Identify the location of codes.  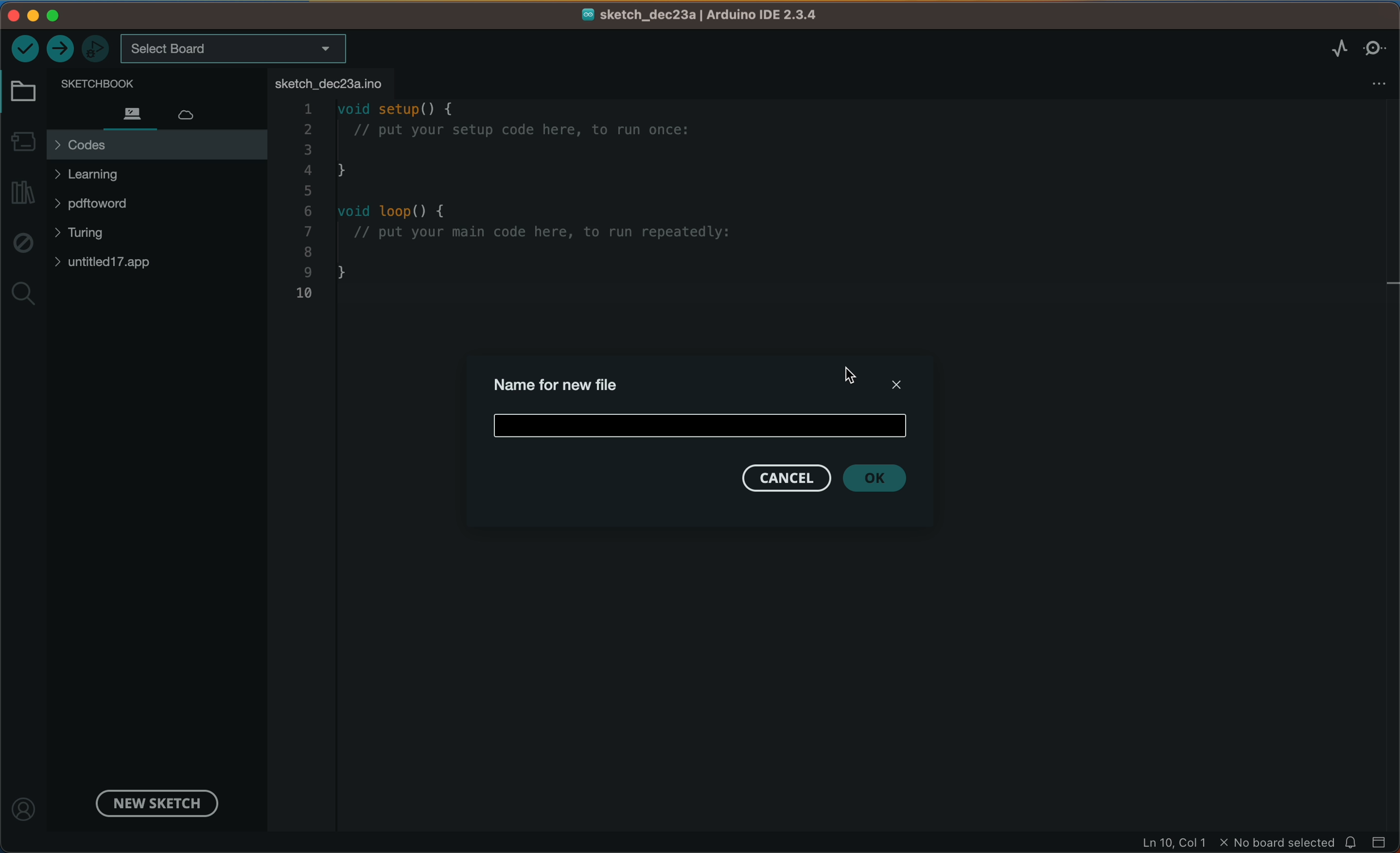
(156, 145).